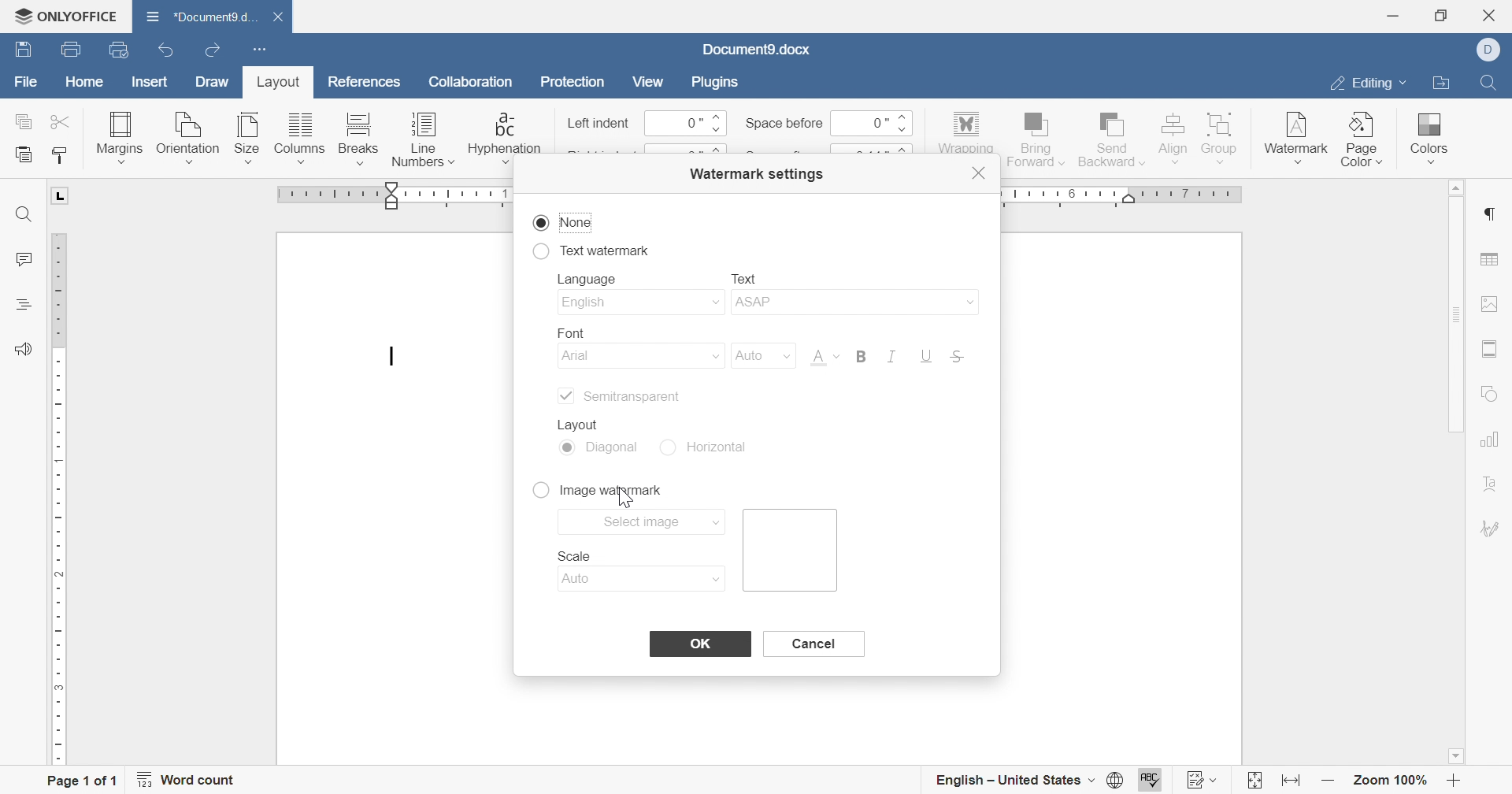  What do you see at coordinates (213, 82) in the screenshot?
I see `draw` at bounding box center [213, 82].